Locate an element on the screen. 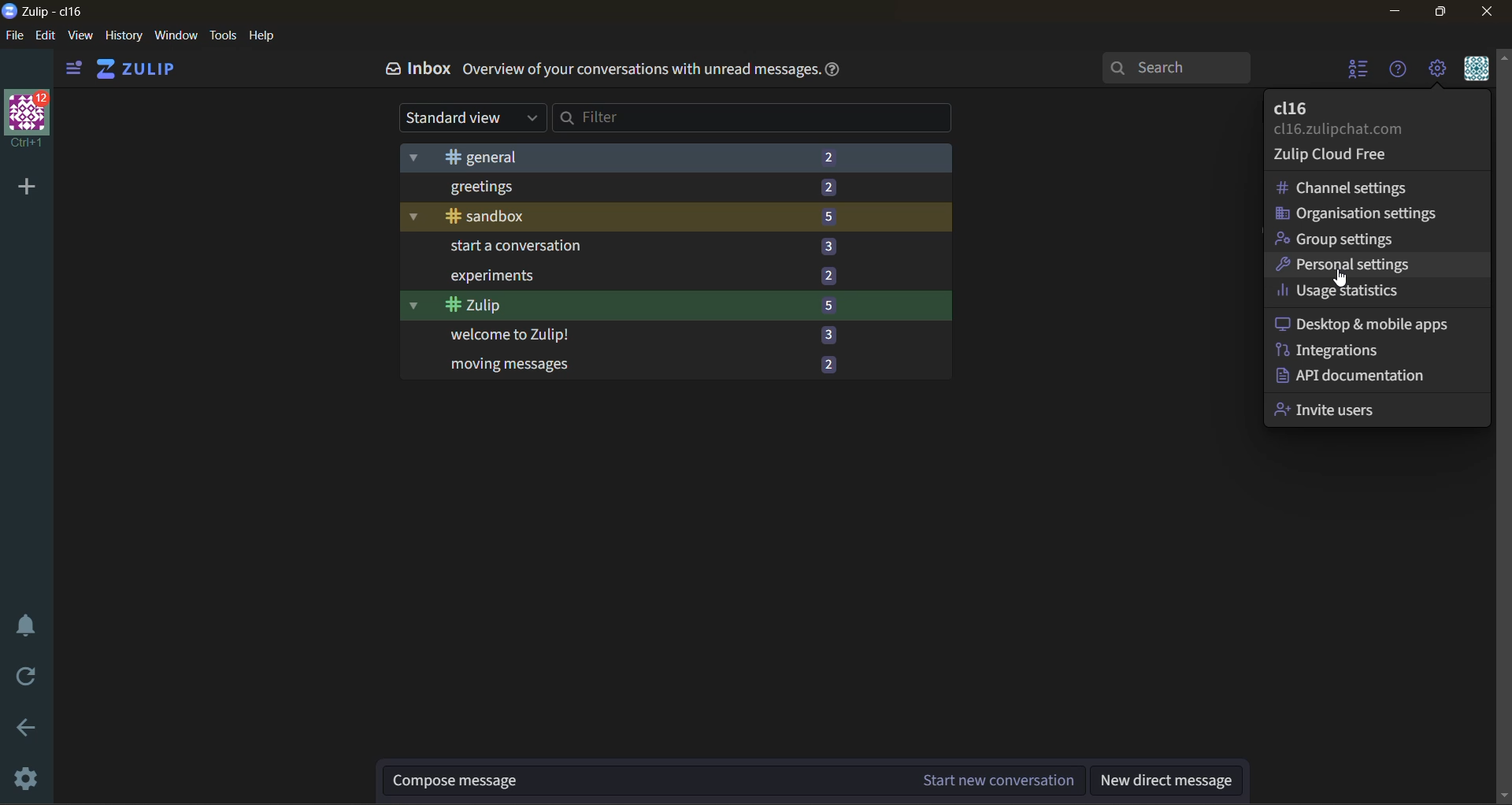 This screenshot has width=1512, height=805. experiments is located at coordinates (627, 275).